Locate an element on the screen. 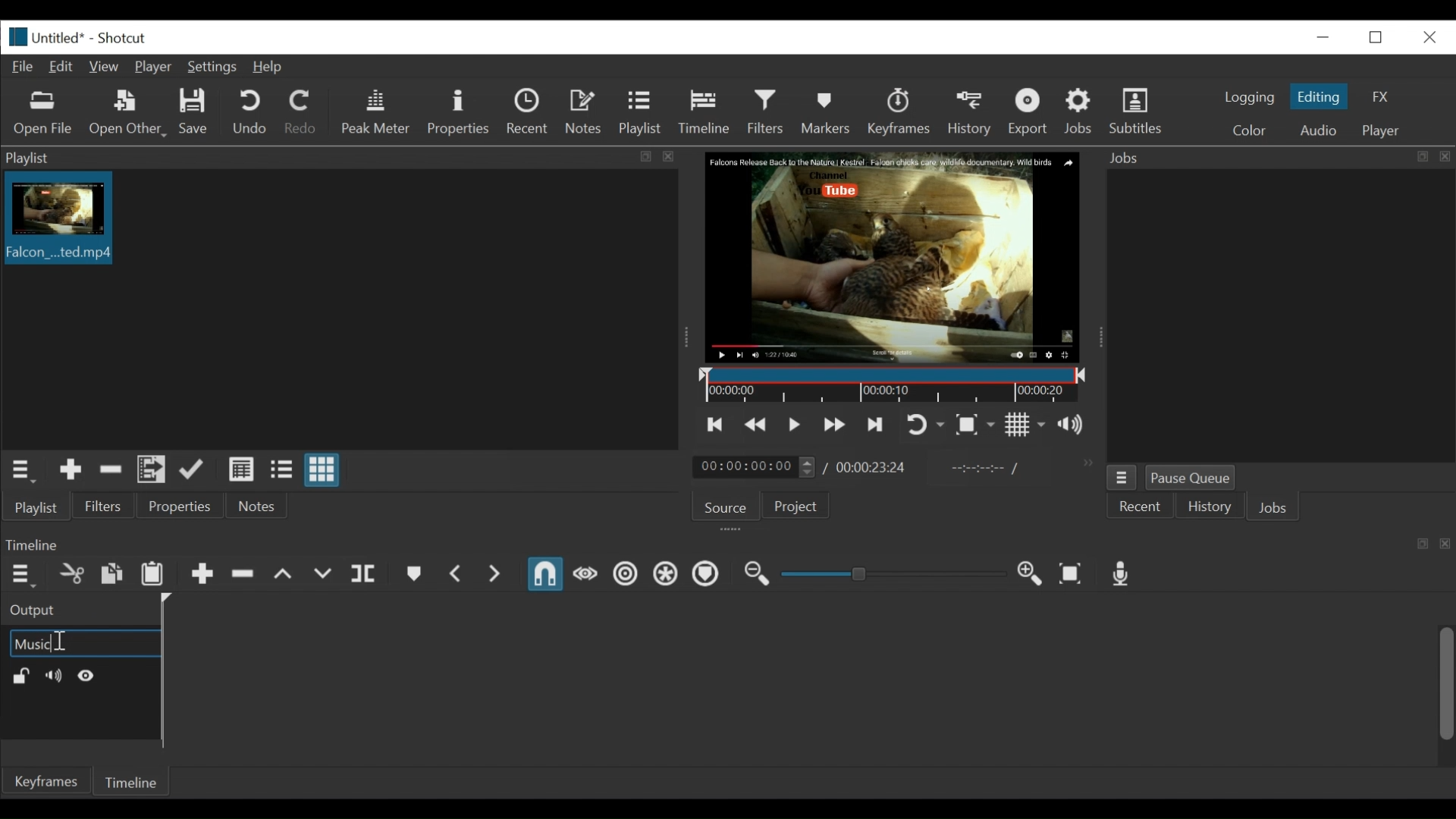 The height and width of the screenshot is (819, 1456). Timeline Panel is located at coordinates (726, 546).